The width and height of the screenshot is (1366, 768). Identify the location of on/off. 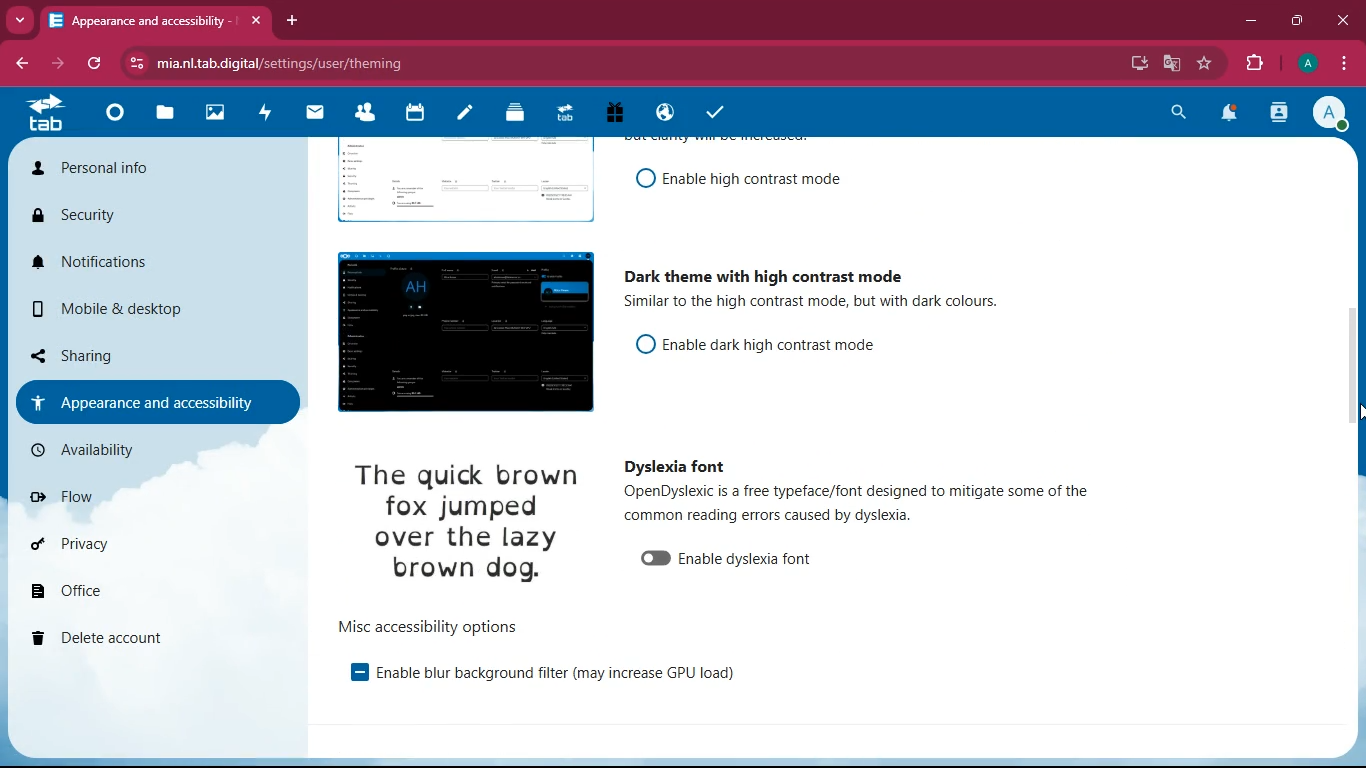
(640, 179).